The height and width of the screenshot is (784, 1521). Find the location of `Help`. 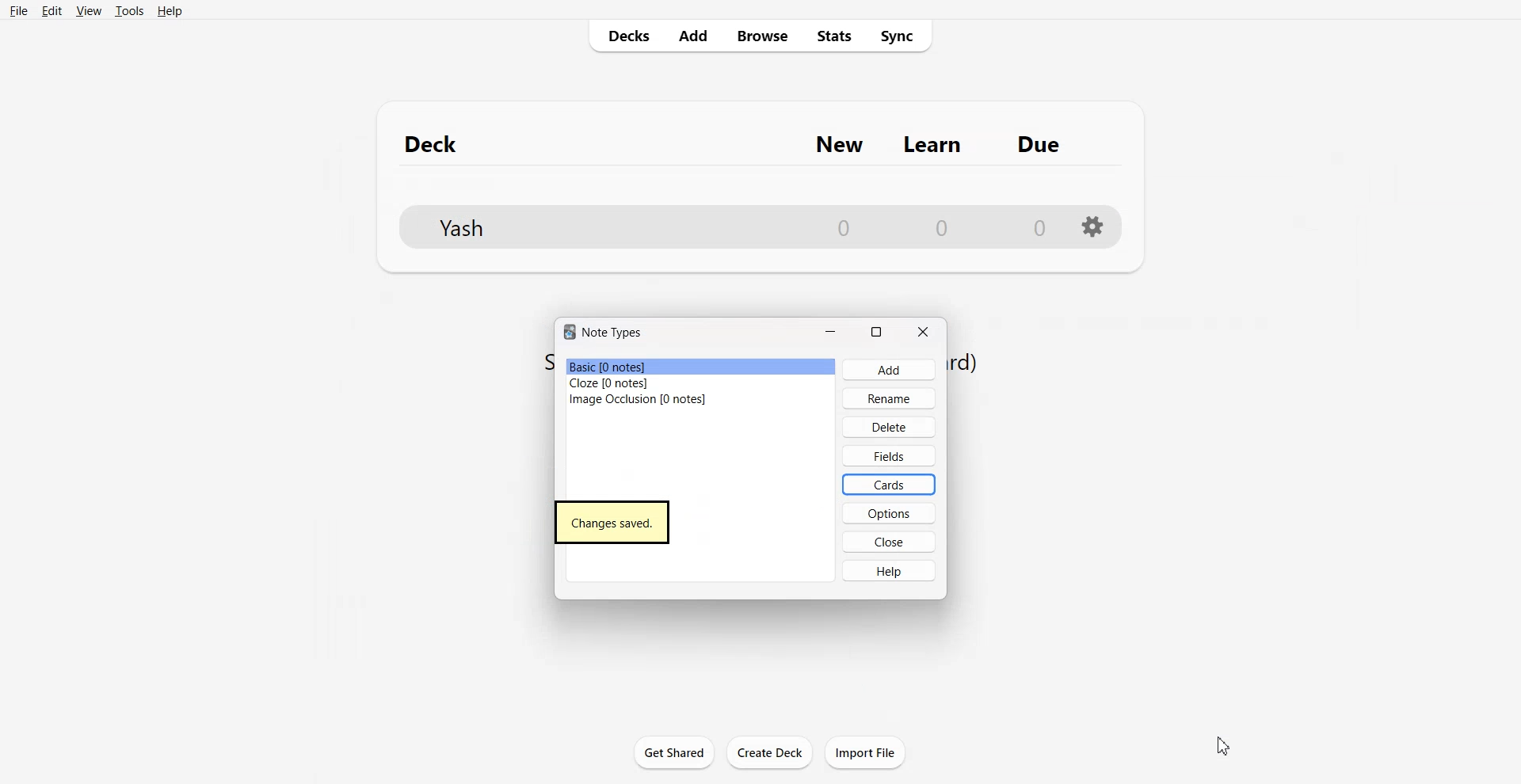

Help is located at coordinates (890, 569).